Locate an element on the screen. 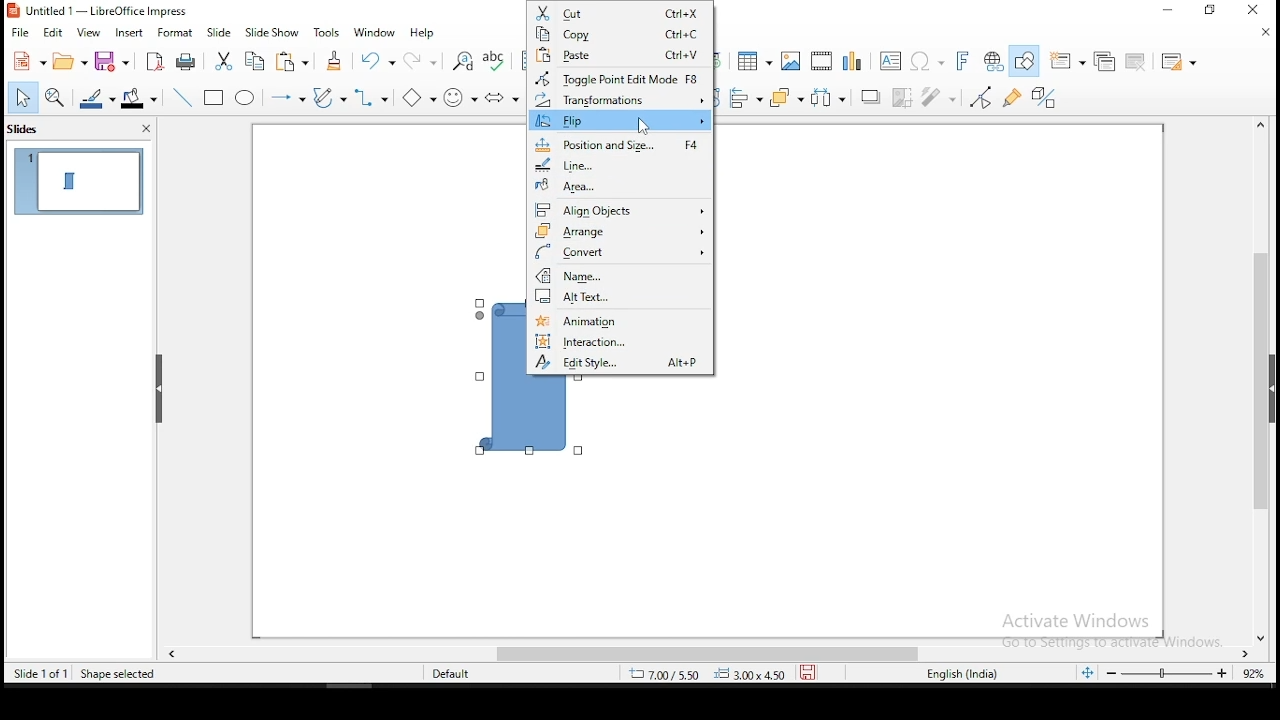 The image size is (1280, 720). format is located at coordinates (179, 34).